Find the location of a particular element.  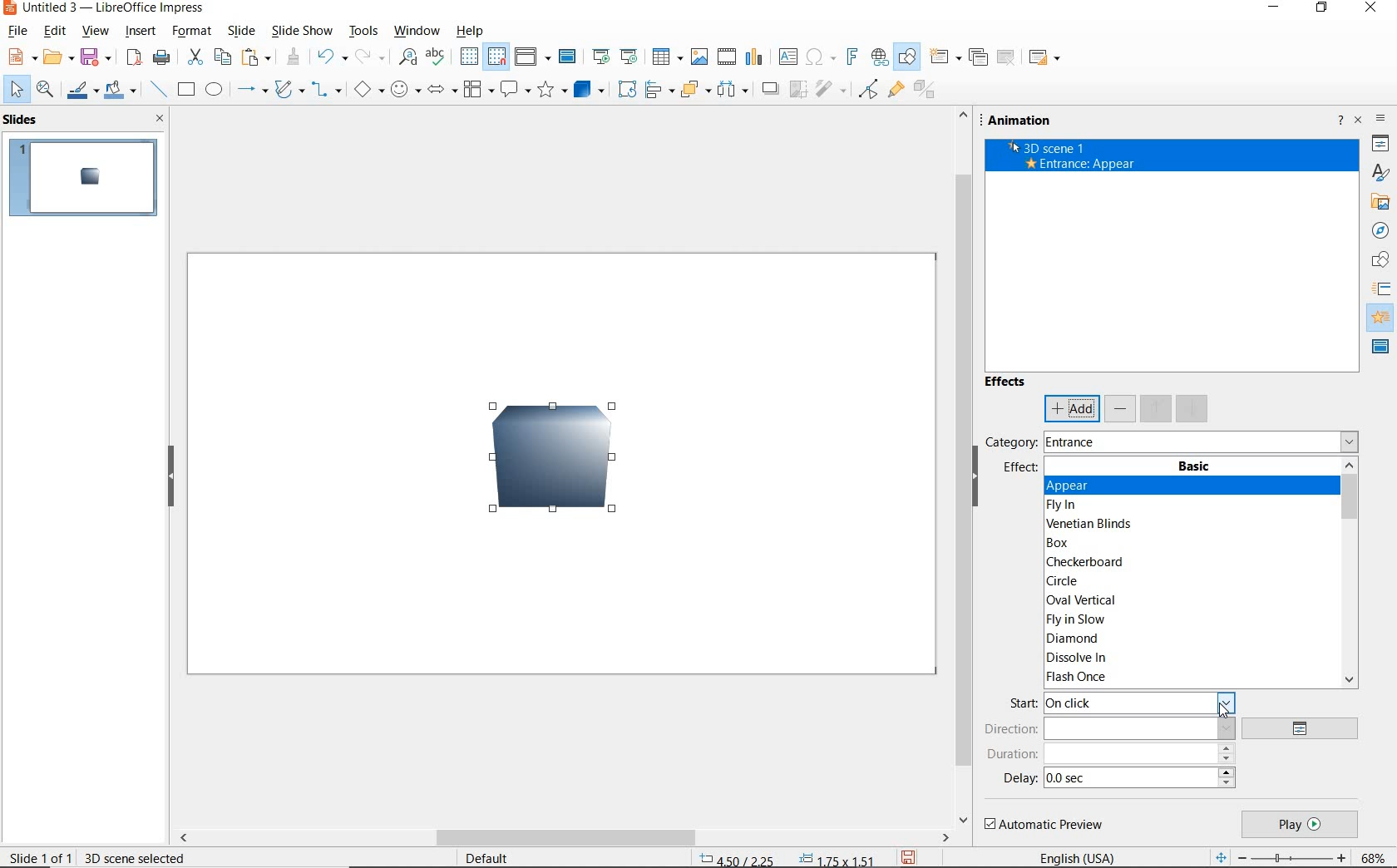

file name is located at coordinates (106, 9).